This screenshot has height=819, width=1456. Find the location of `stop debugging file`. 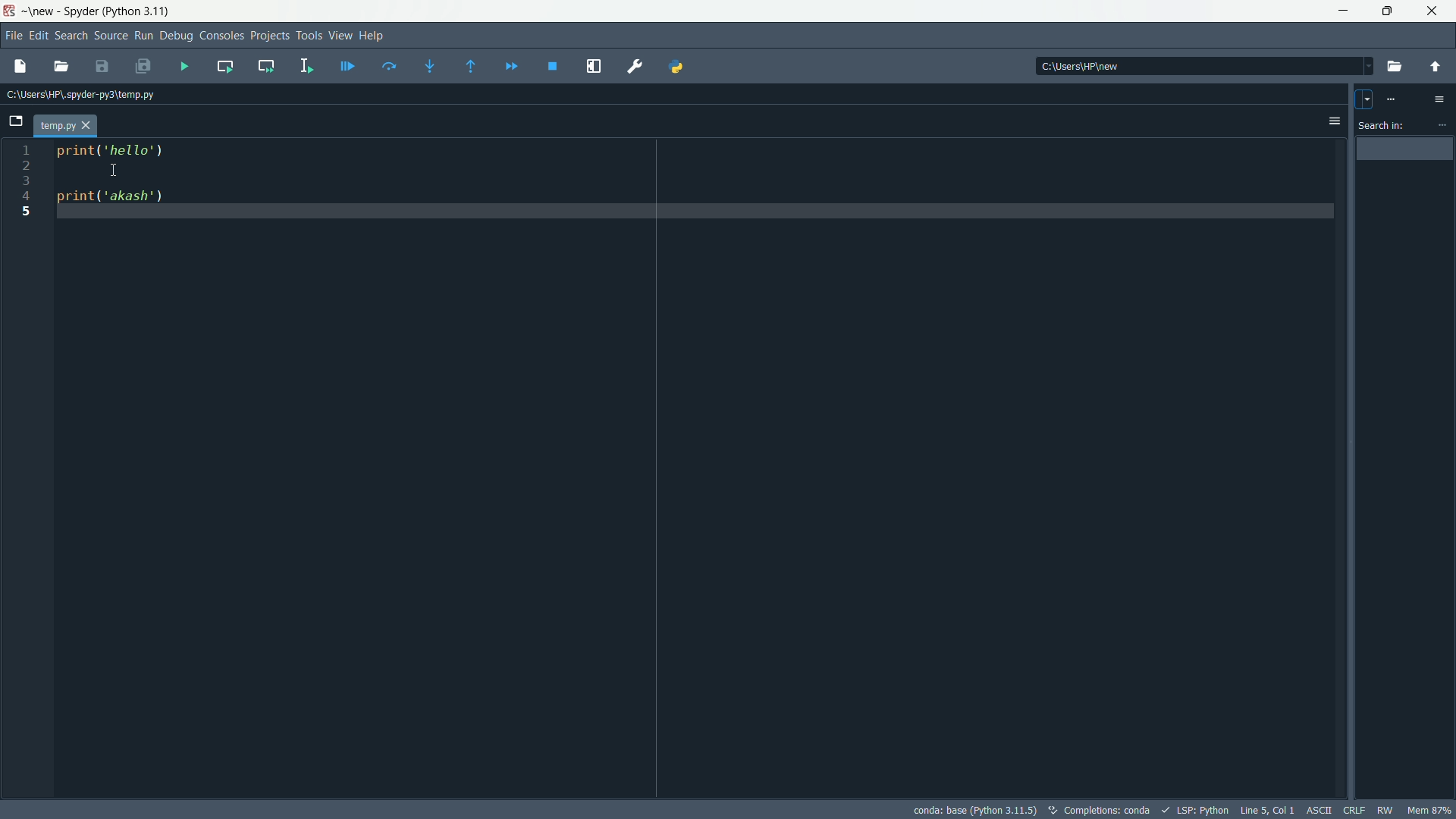

stop debugging file is located at coordinates (553, 68).